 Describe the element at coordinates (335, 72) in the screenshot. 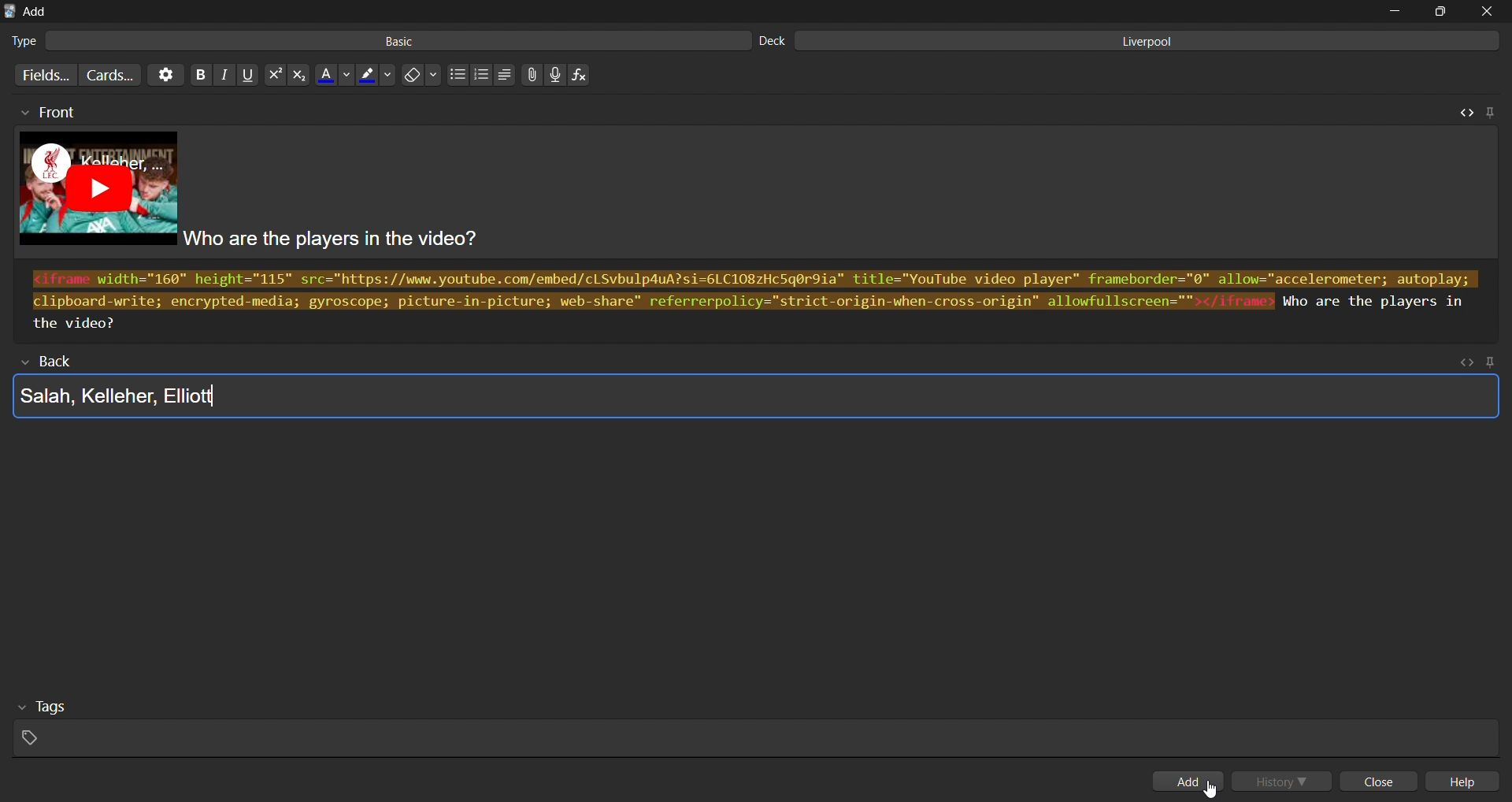

I see `font color` at that location.